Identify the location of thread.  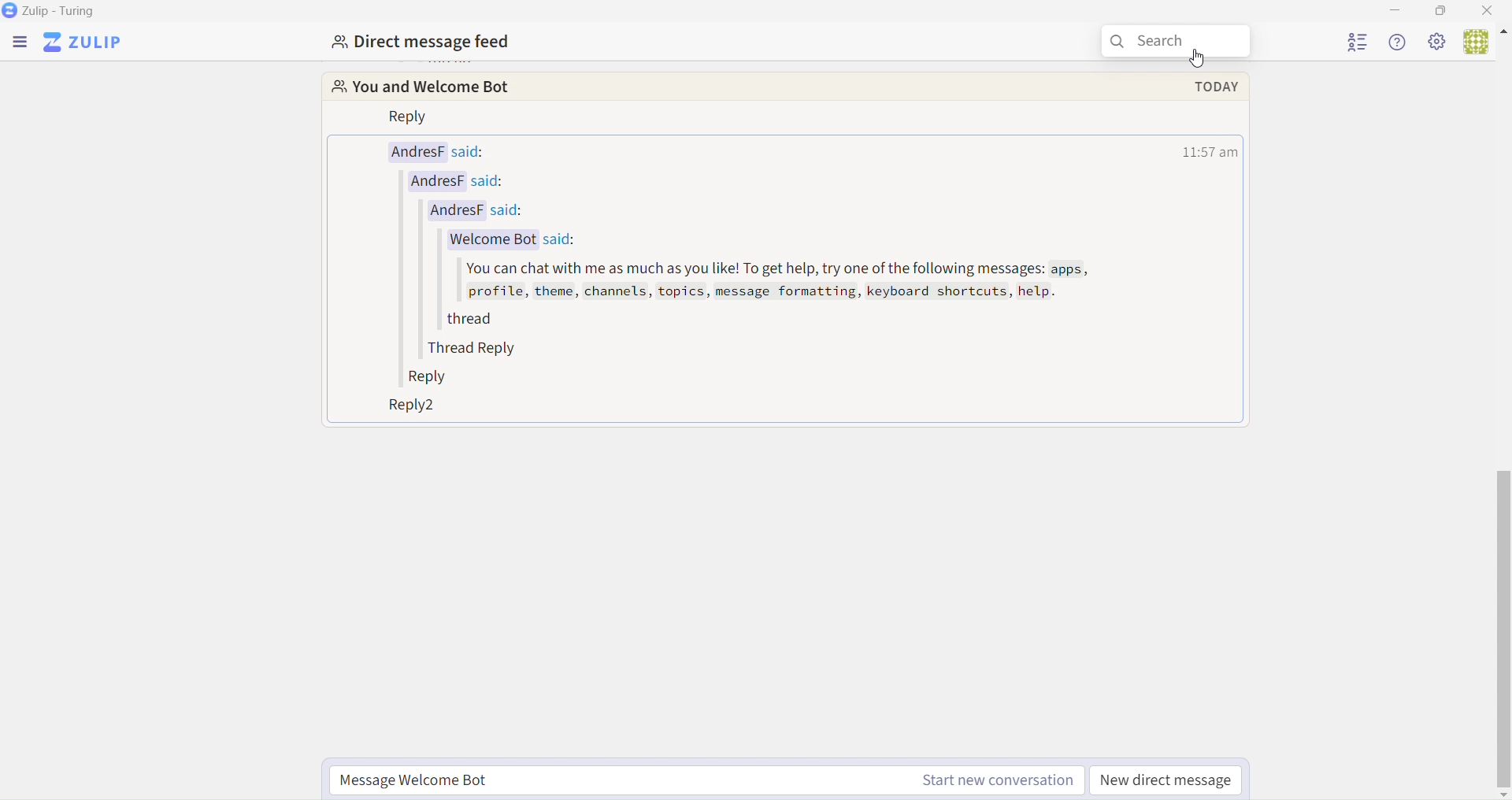
(466, 322).